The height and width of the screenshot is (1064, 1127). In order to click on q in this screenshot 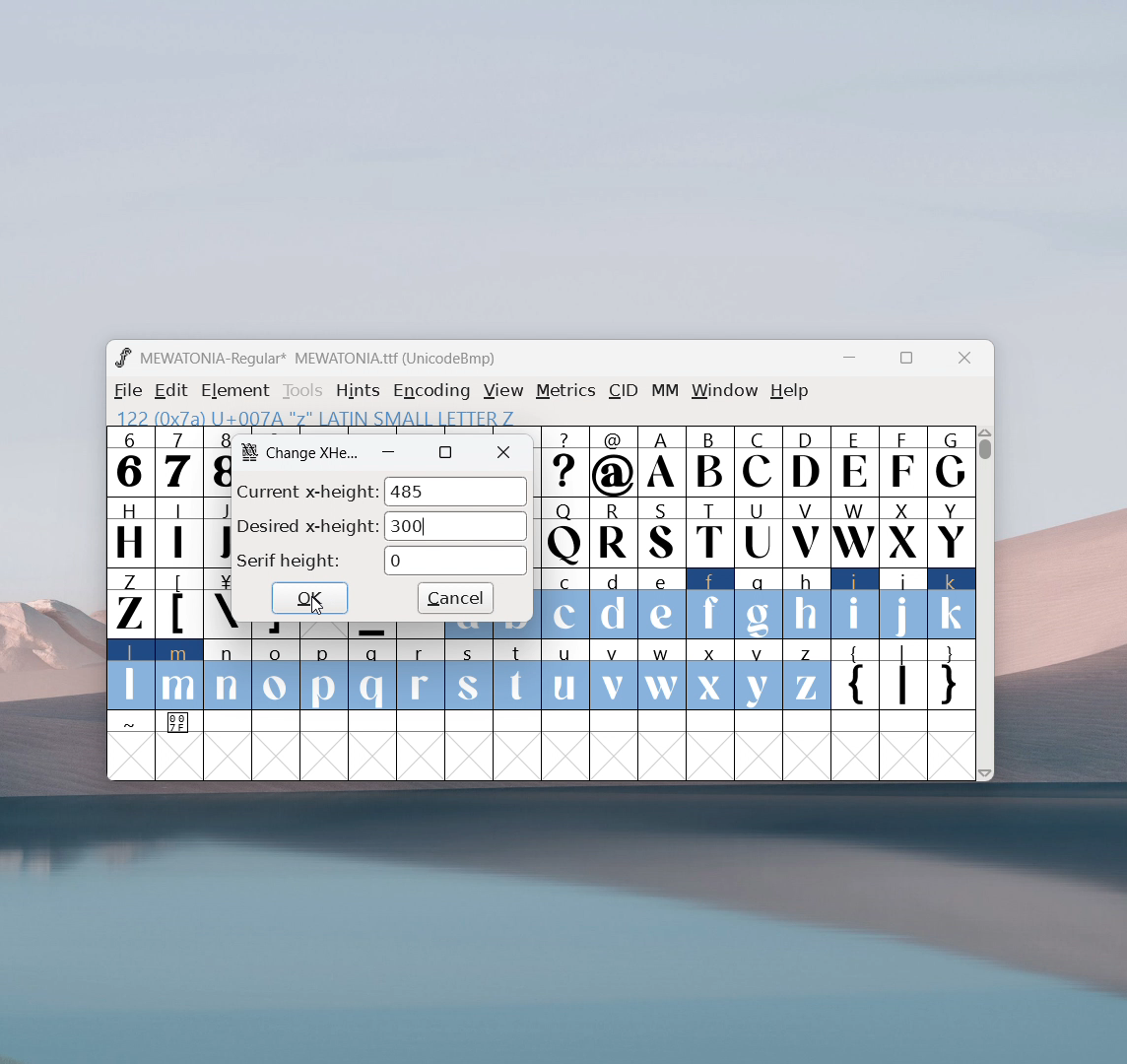, I will do `click(372, 676)`.